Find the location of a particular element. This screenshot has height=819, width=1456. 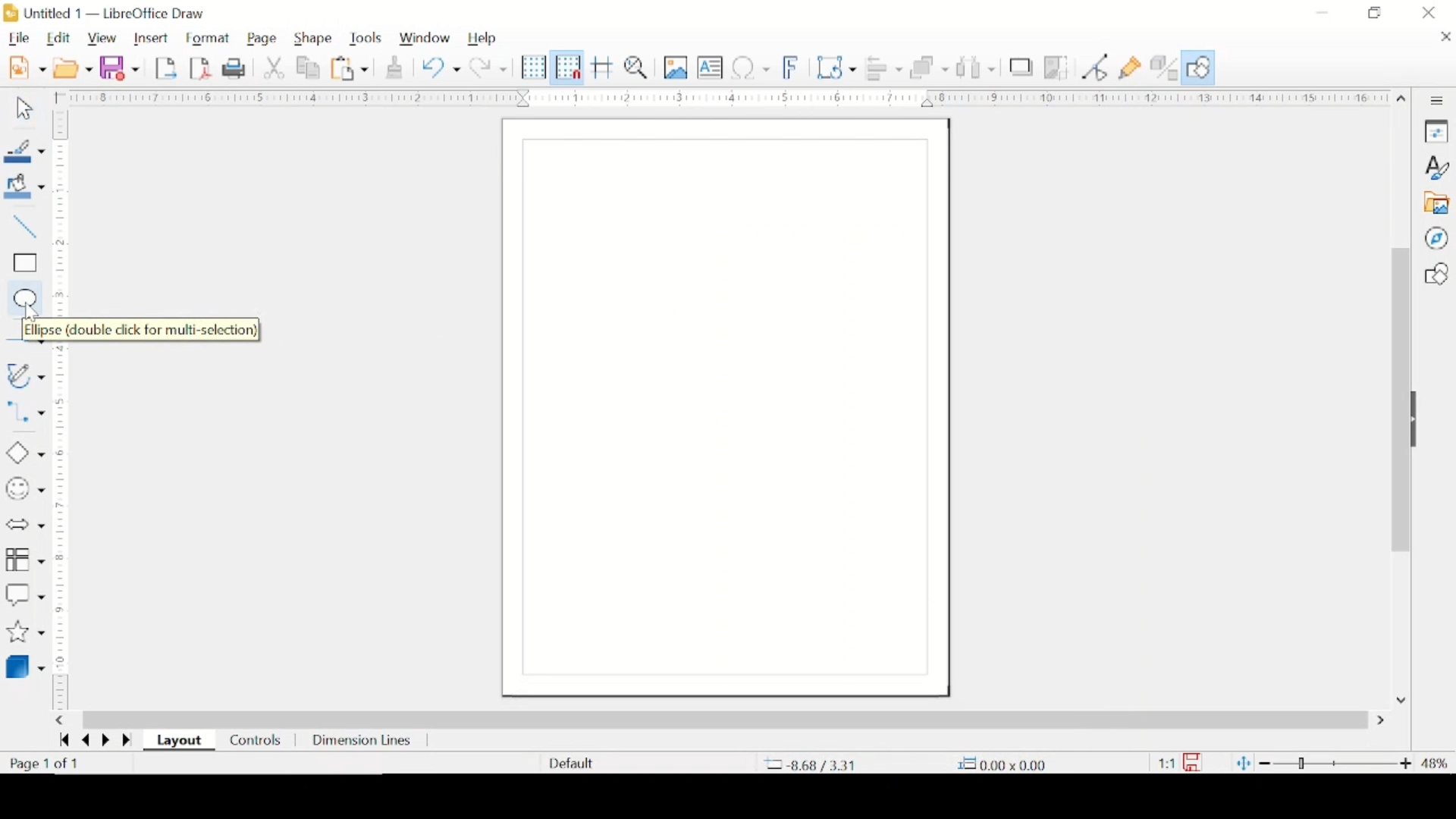

styles is located at coordinates (1438, 167).